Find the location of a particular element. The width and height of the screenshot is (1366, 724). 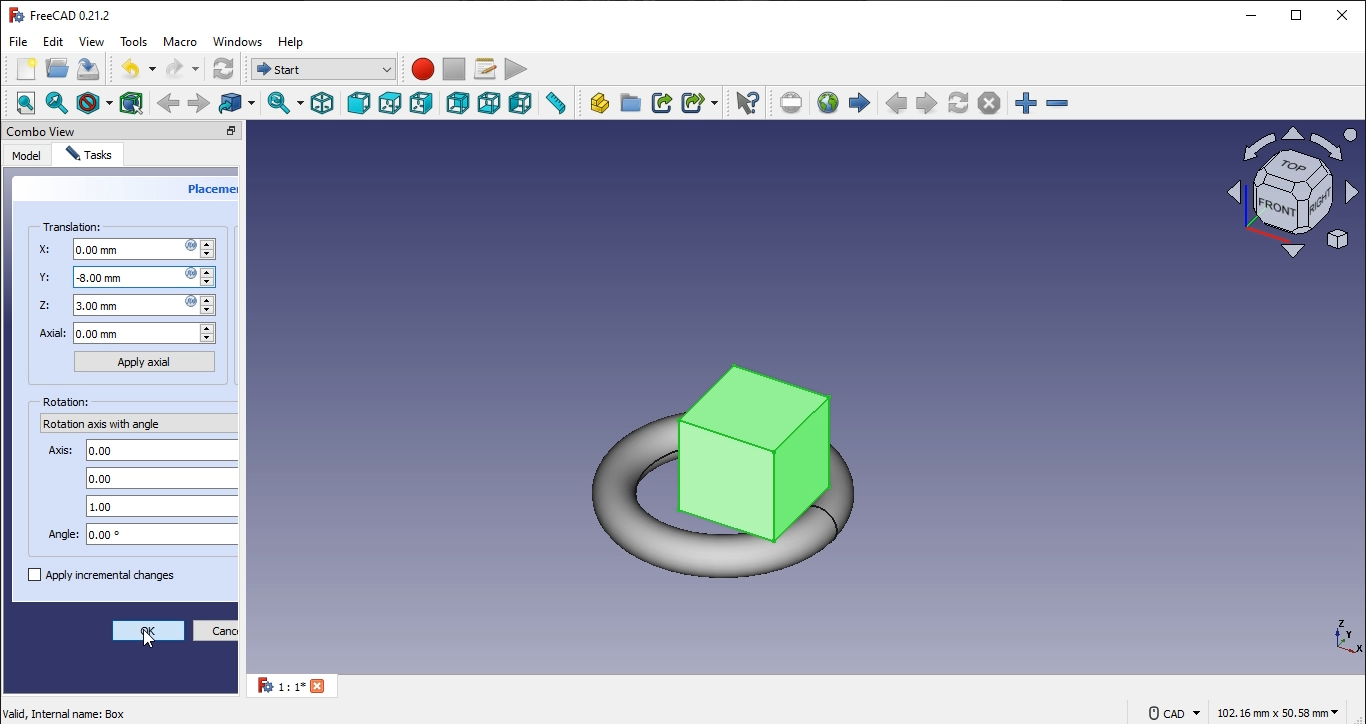

torus and box image is located at coordinates (744, 447).